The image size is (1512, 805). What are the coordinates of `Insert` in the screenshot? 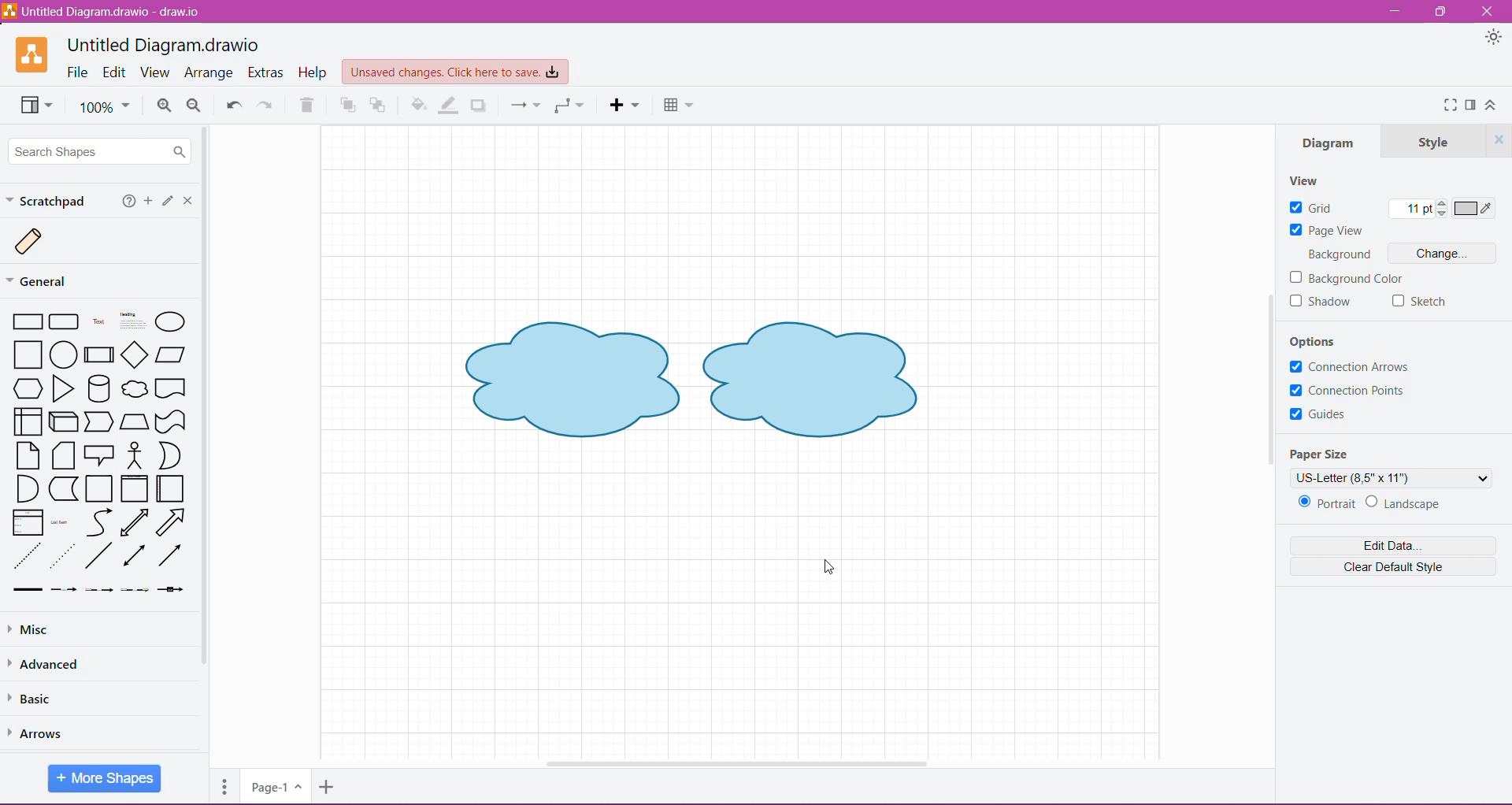 It's located at (625, 106).